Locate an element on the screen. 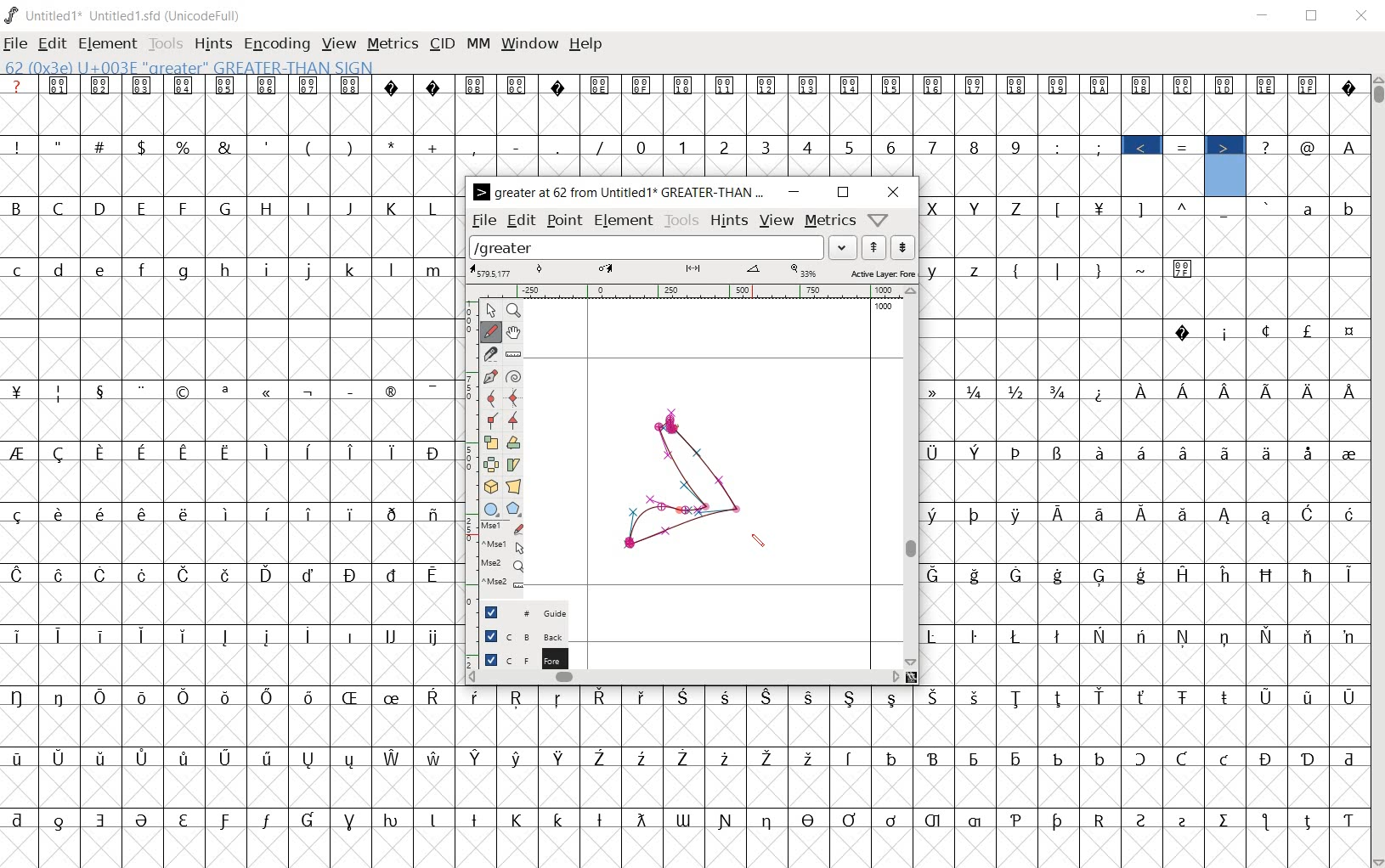 Image resolution: width=1385 pixels, height=868 pixels. background is located at coordinates (518, 636).